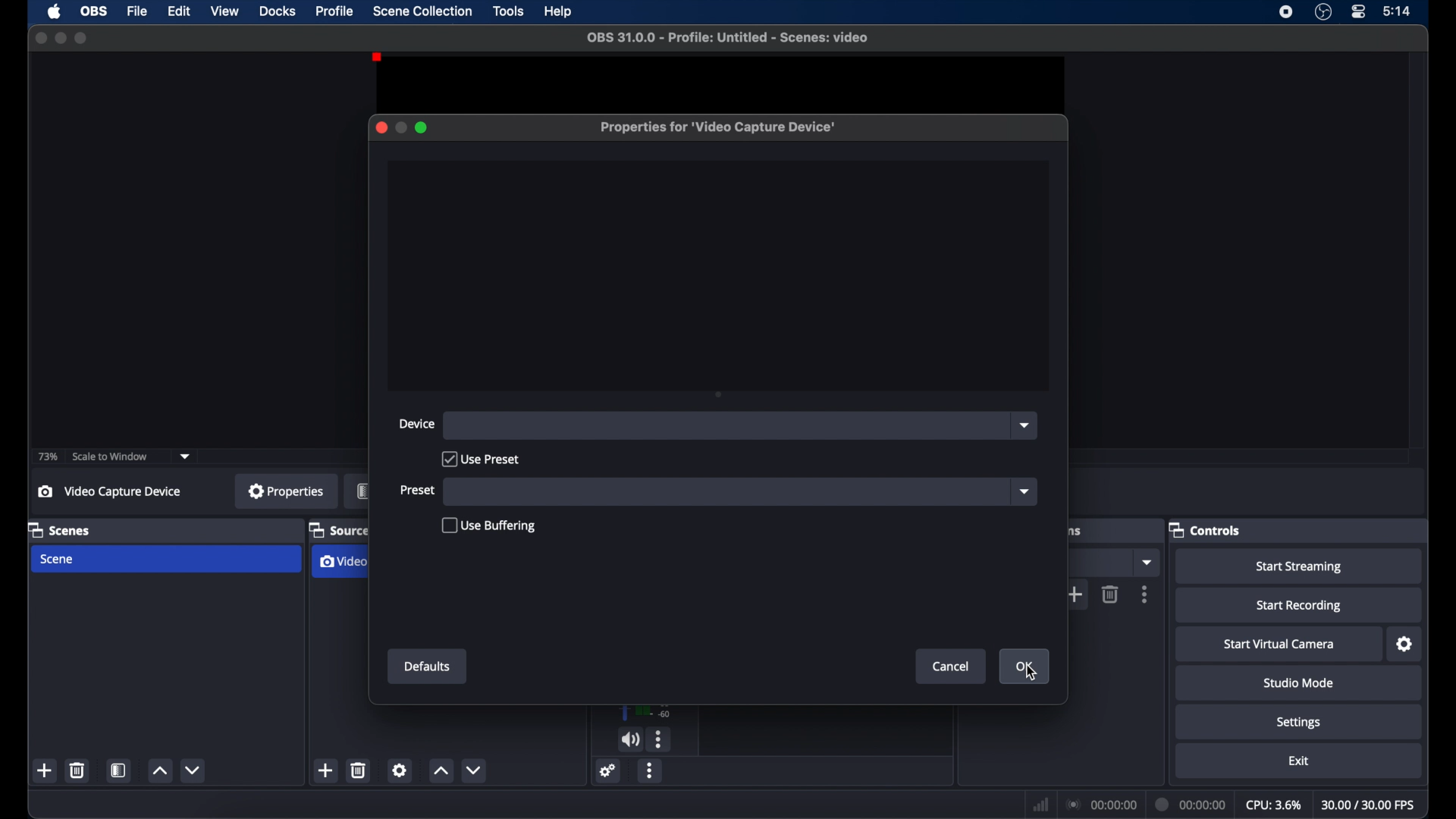 The width and height of the screenshot is (1456, 819). What do you see at coordinates (1357, 11) in the screenshot?
I see `control center` at bounding box center [1357, 11].